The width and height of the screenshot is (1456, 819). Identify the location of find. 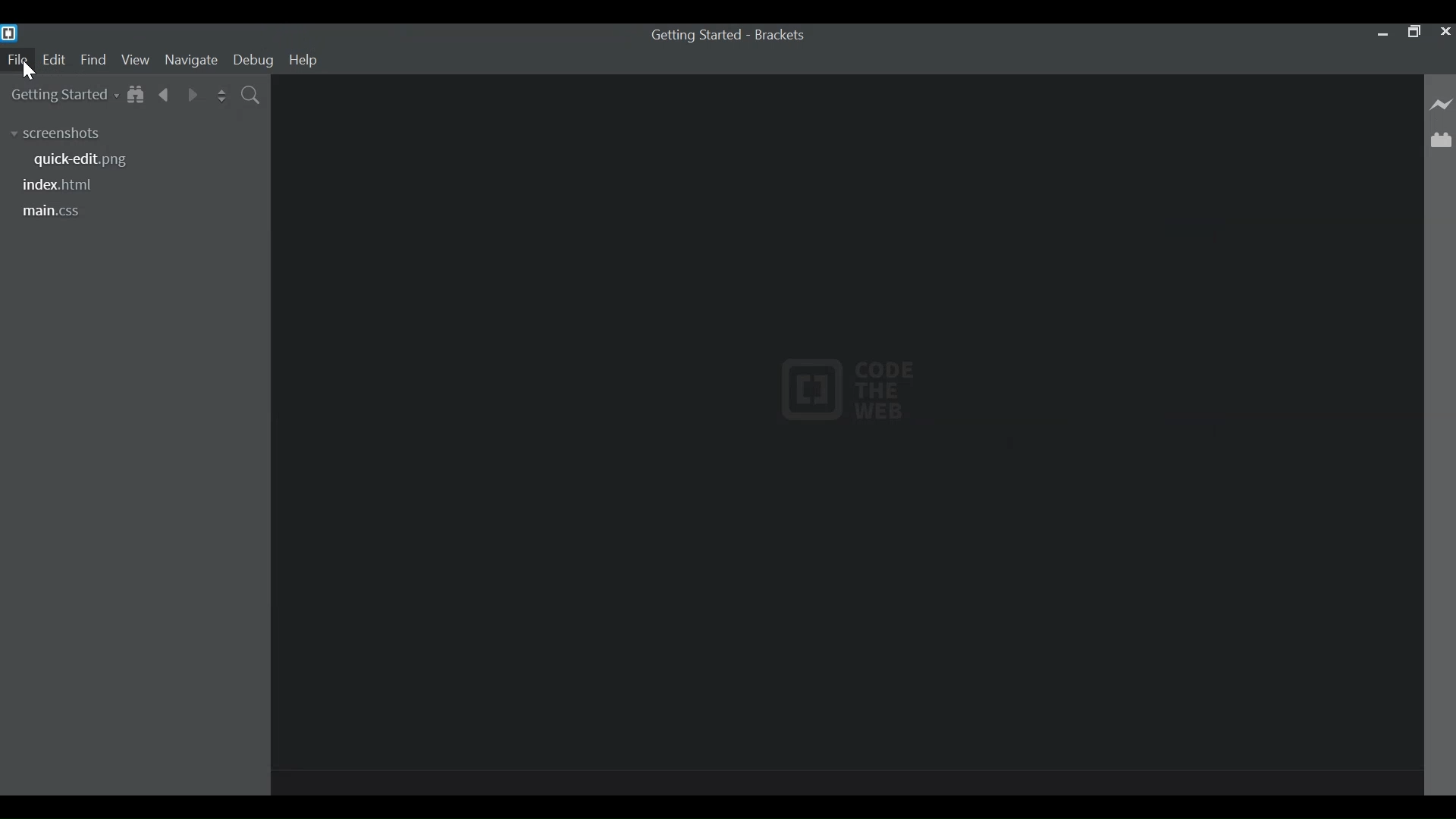
(94, 60).